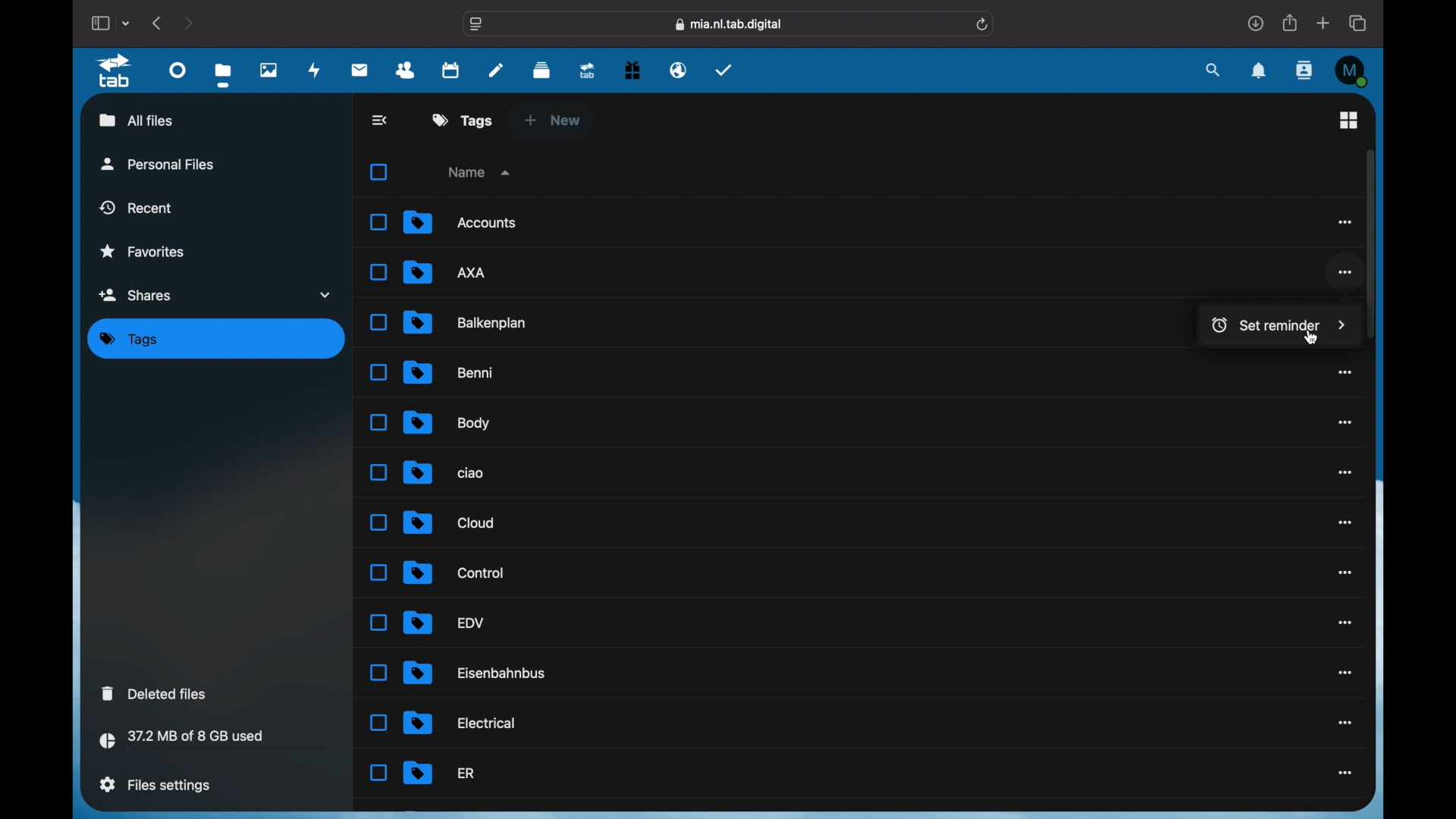 The width and height of the screenshot is (1456, 819). Describe the element at coordinates (729, 25) in the screenshot. I see `web address` at that location.